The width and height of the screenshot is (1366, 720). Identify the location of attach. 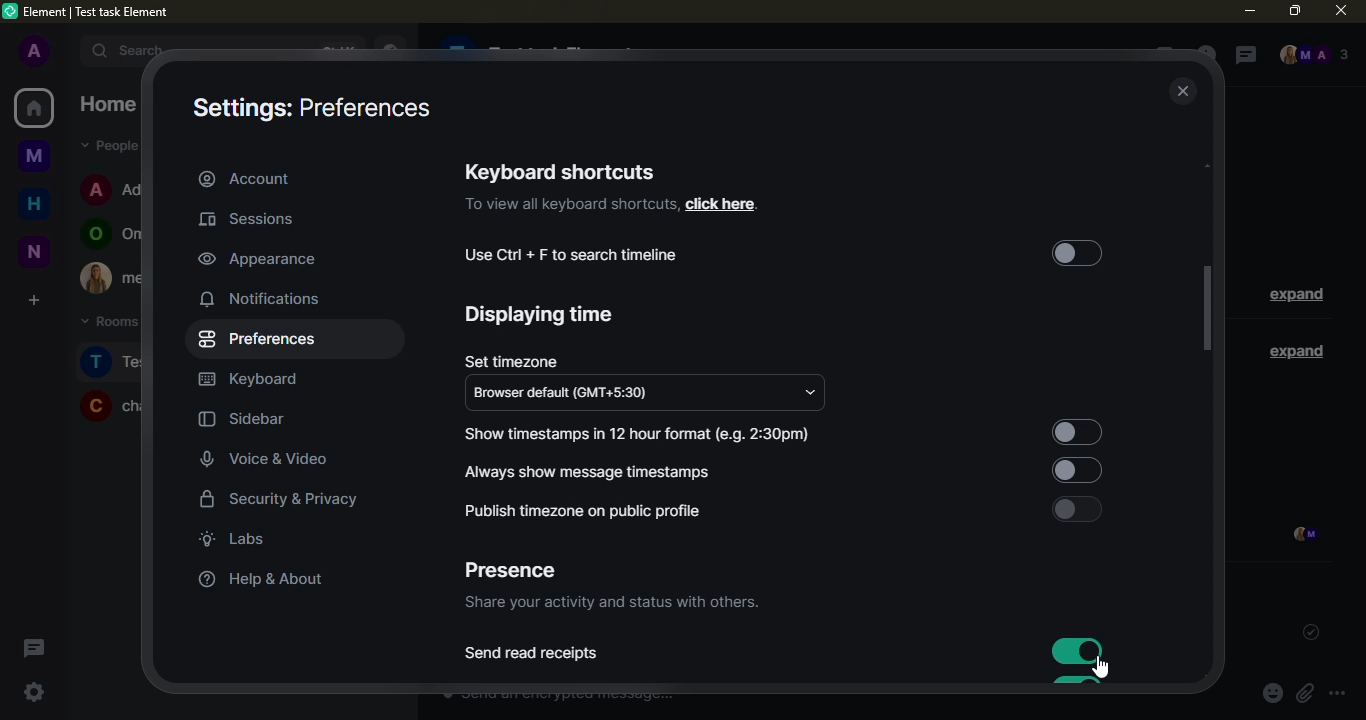
(1304, 694).